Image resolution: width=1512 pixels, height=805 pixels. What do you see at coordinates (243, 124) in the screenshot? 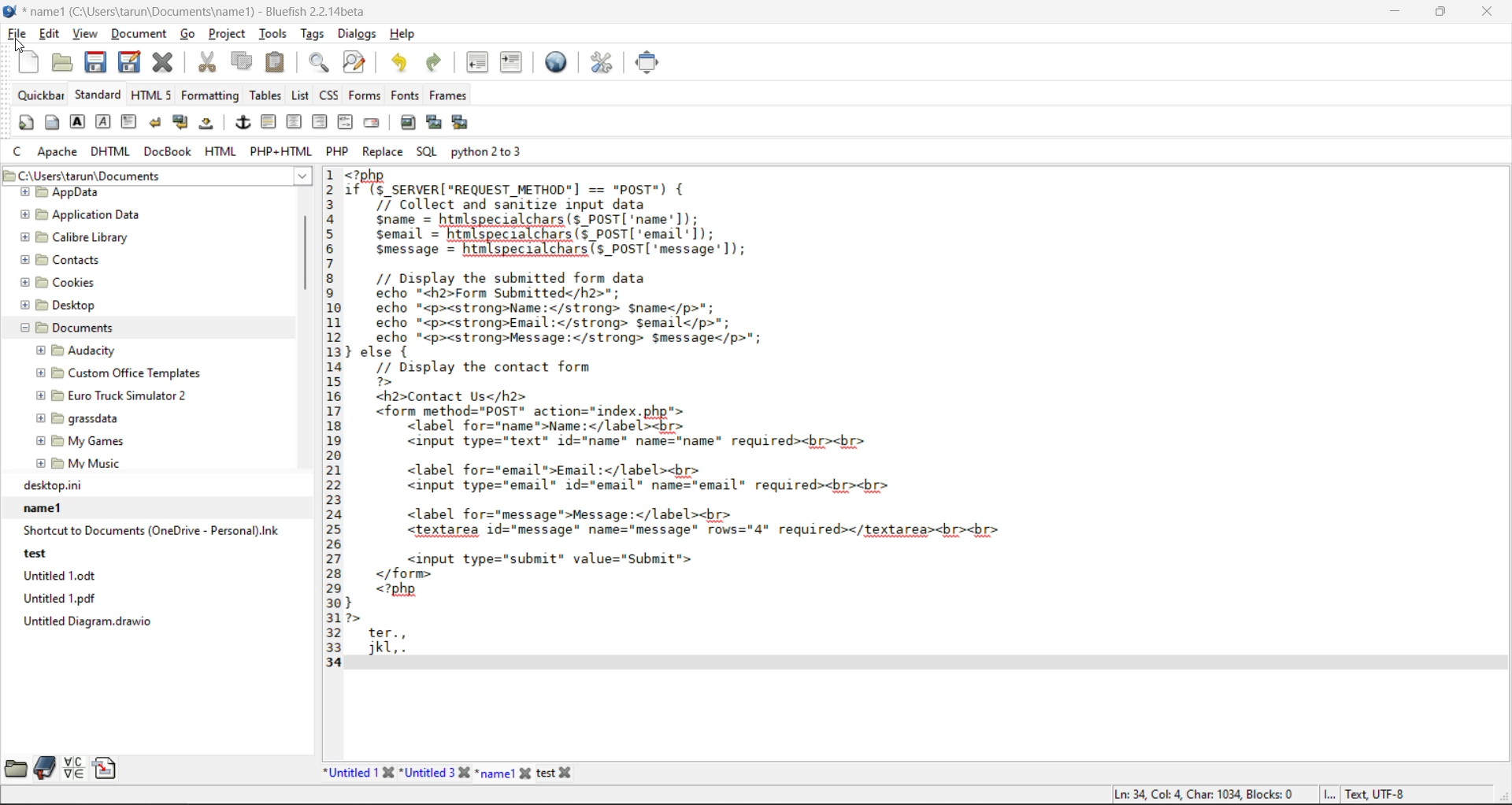
I see `anchor` at bounding box center [243, 124].